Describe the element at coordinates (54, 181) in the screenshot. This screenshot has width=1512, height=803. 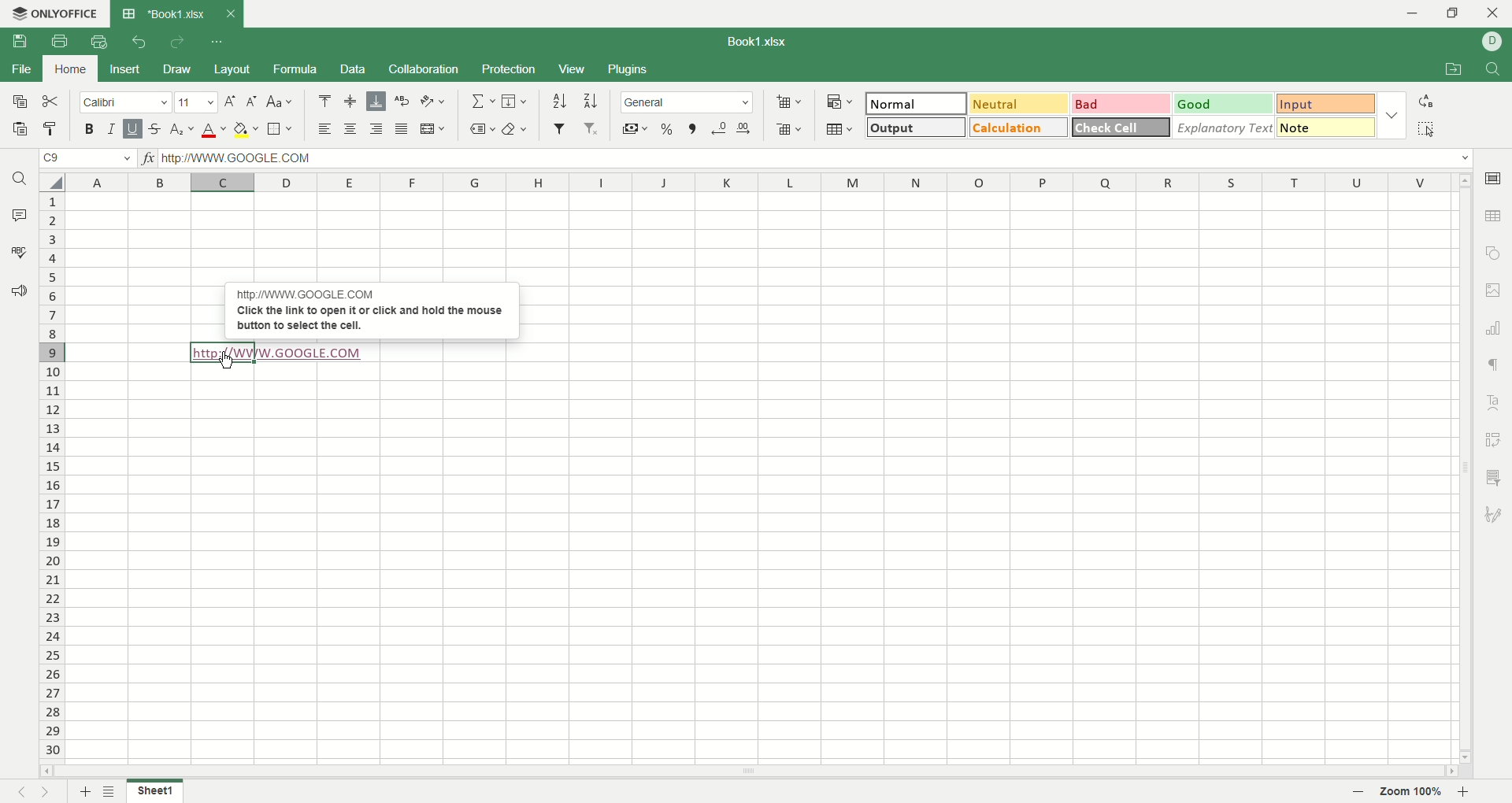
I see `select all` at that location.